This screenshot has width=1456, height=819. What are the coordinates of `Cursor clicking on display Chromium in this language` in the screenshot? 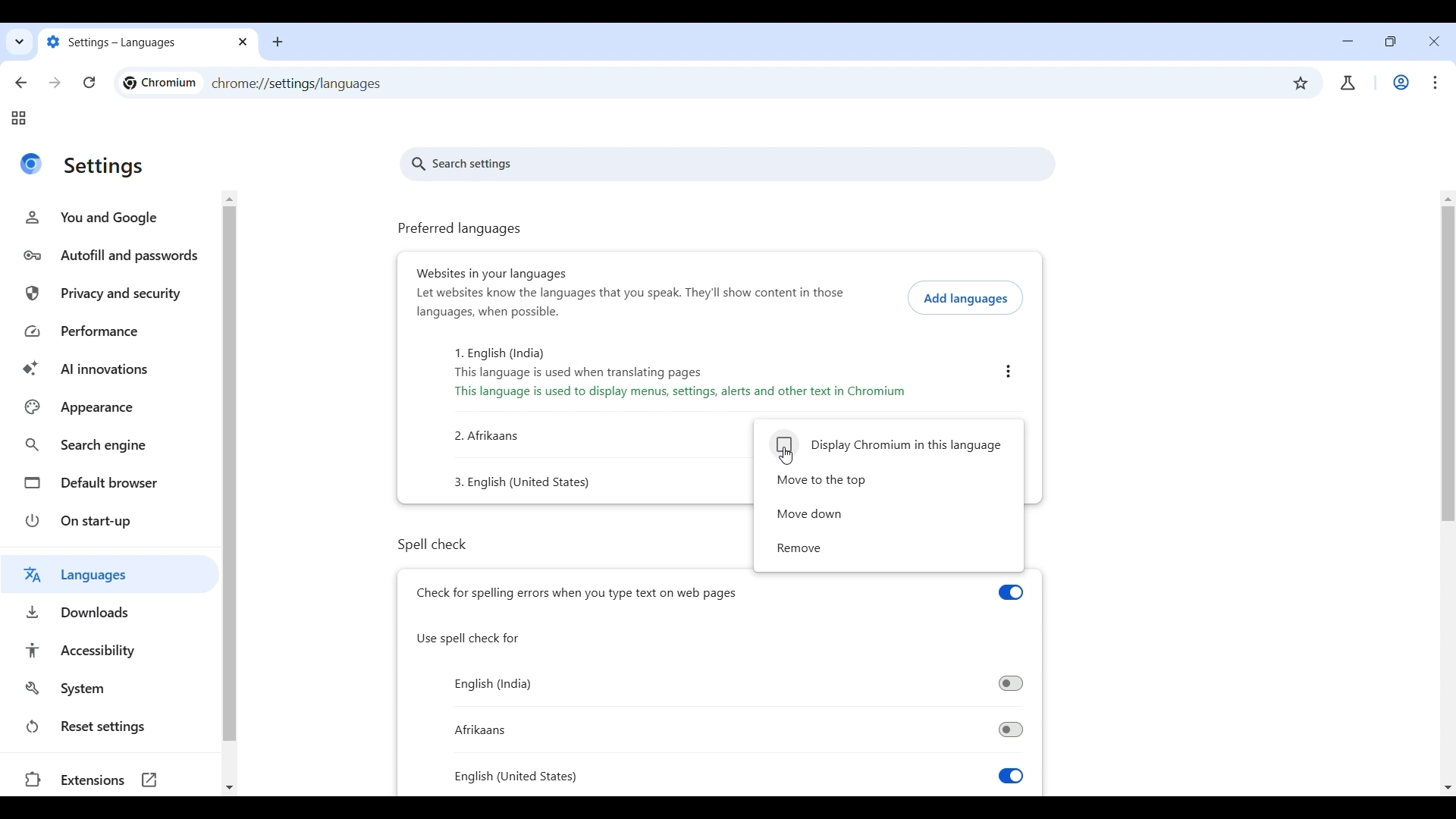 It's located at (786, 457).